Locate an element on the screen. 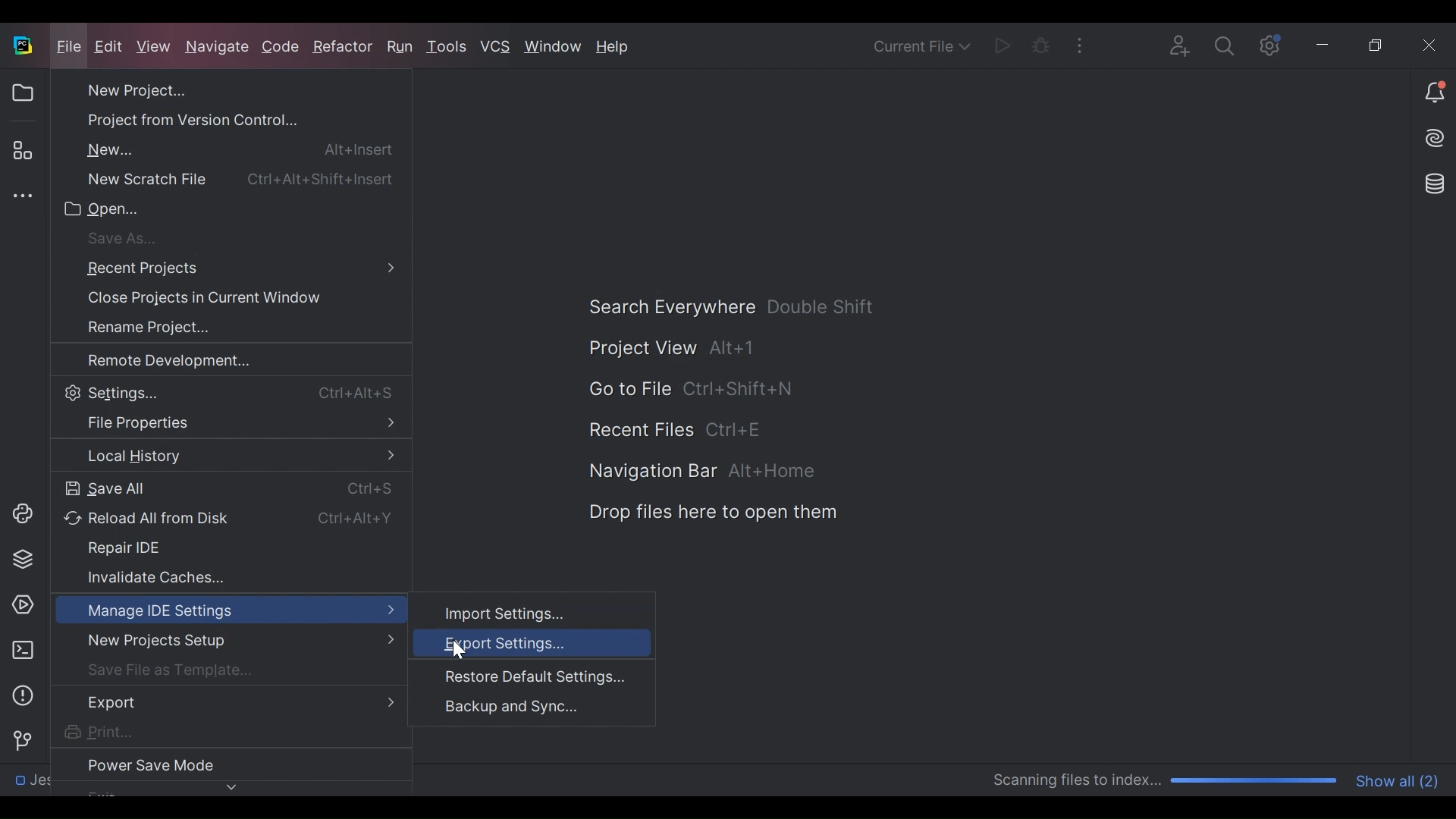 Image resolution: width=1456 pixels, height=819 pixels. Structure is located at coordinates (21, 151).